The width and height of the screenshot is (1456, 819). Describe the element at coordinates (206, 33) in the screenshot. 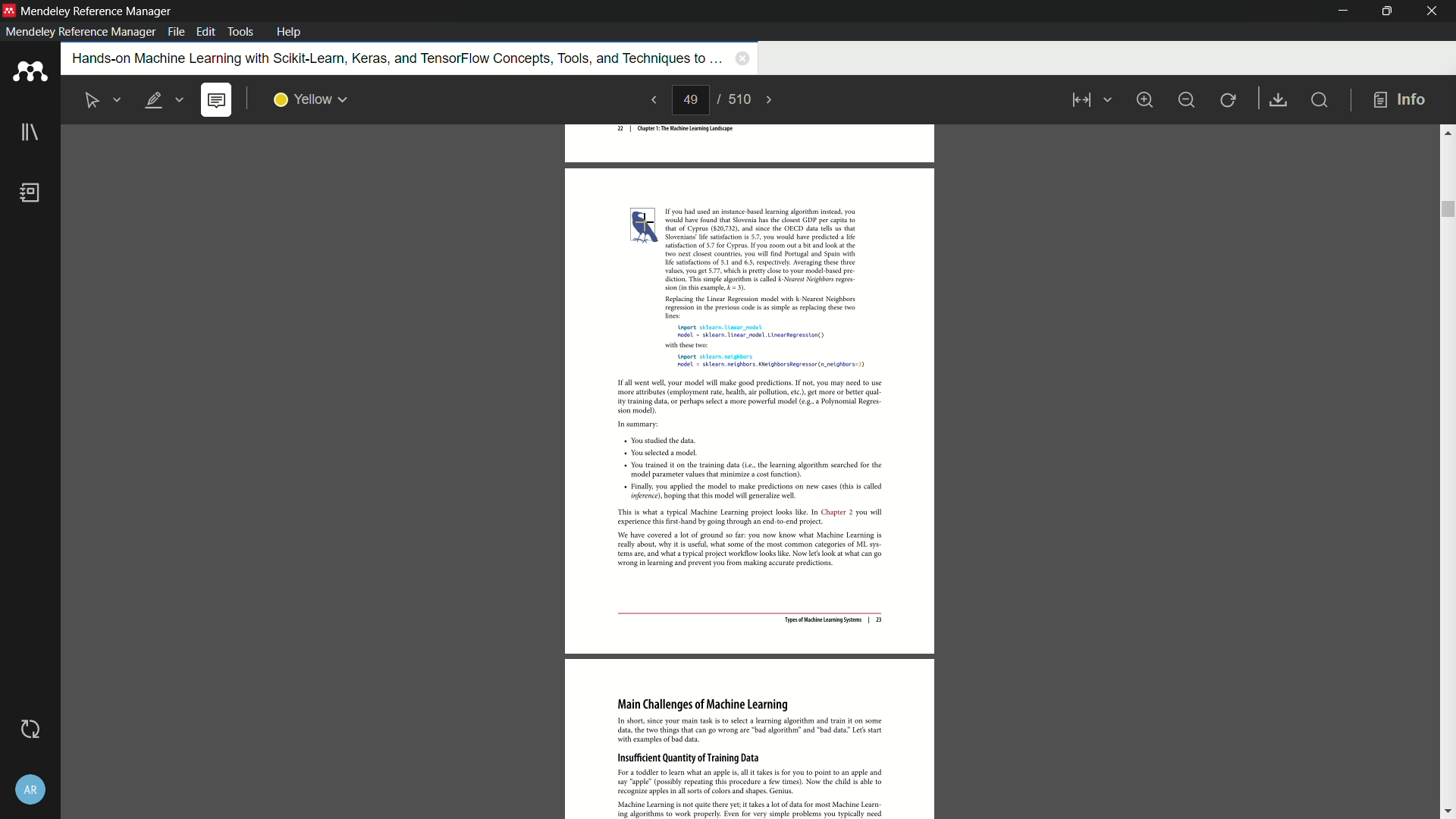

I see `edit menu` at that location.